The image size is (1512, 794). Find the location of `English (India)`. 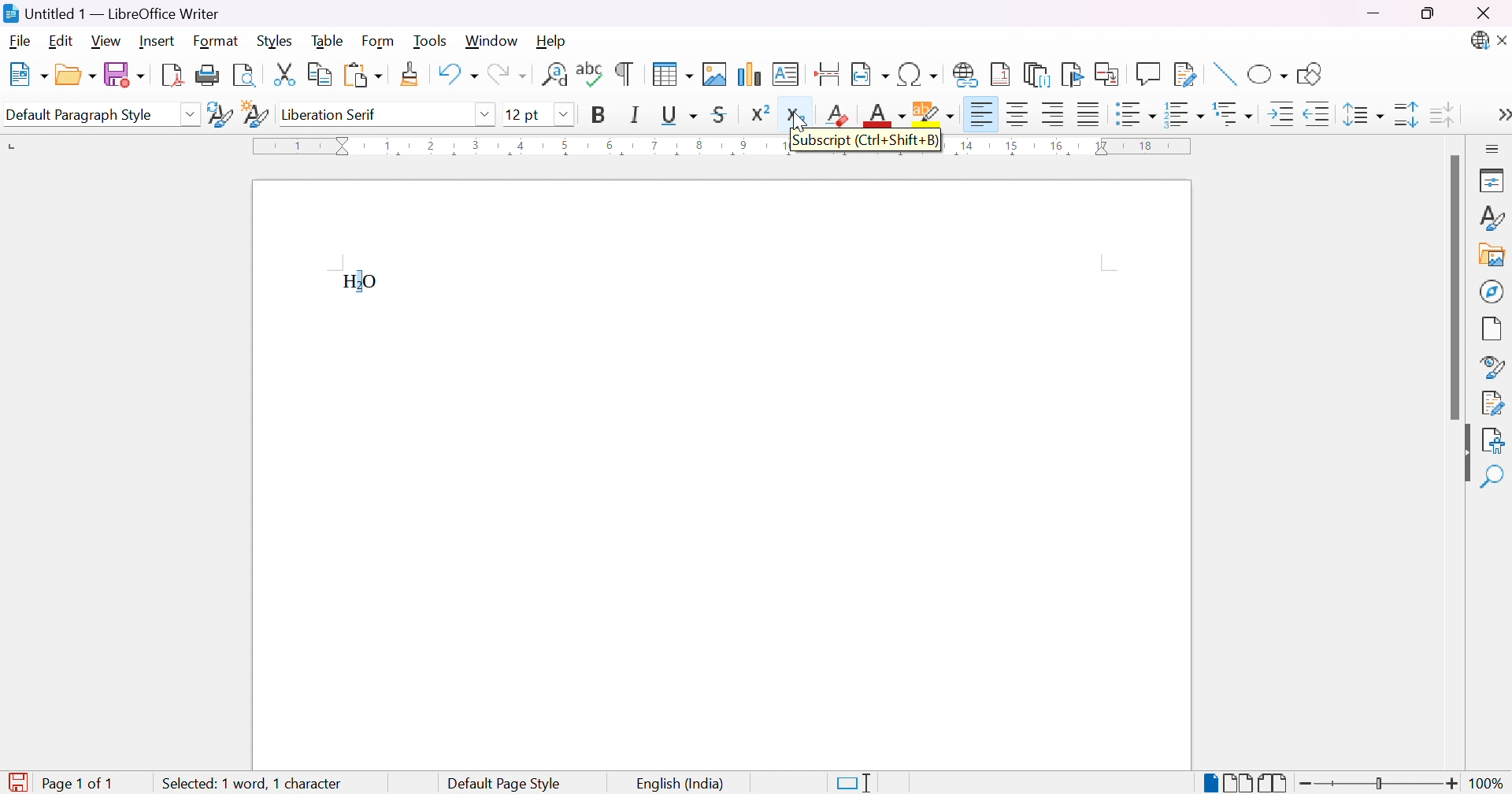

English (India) is located at coordinates (681, 785).